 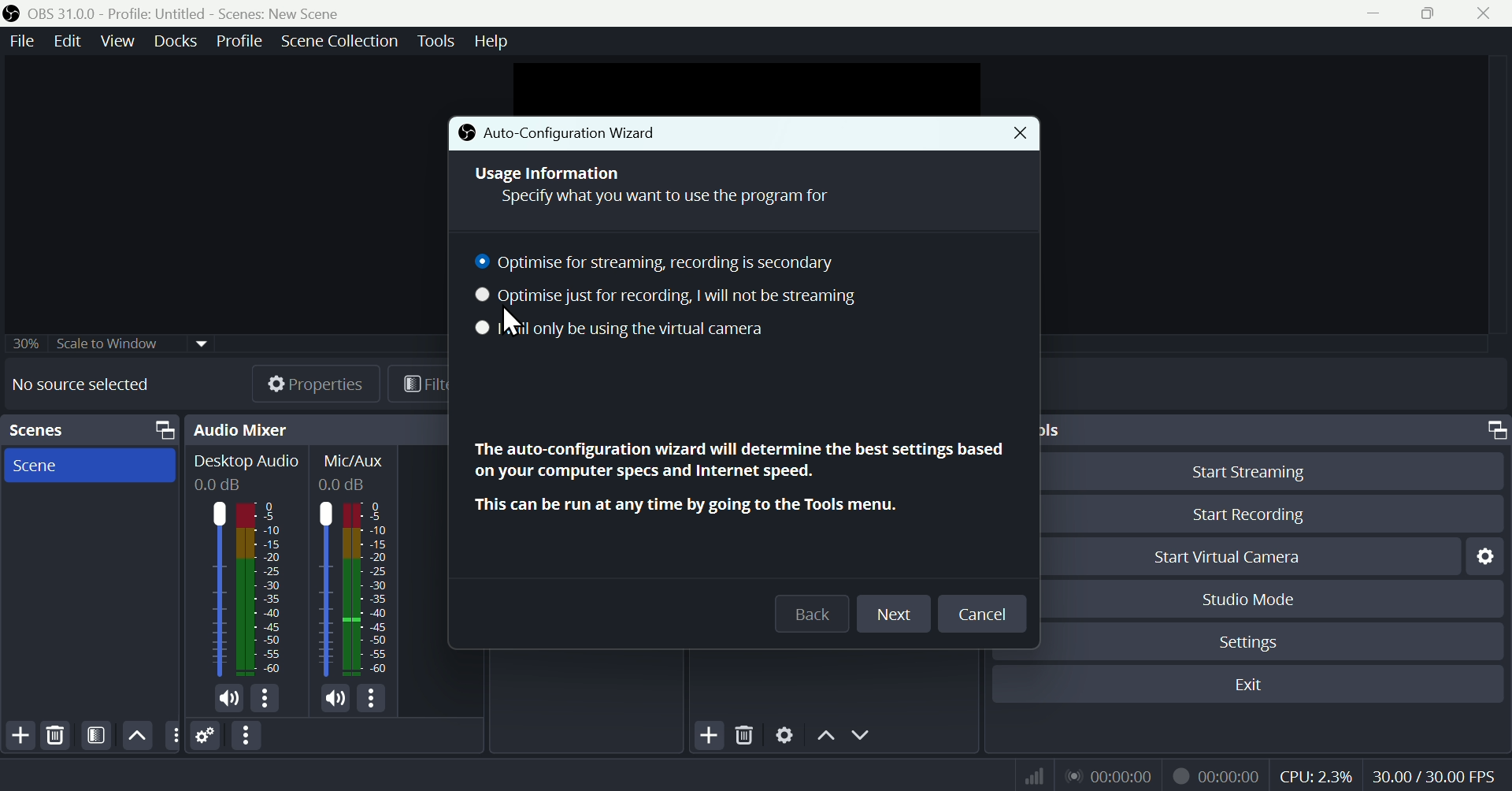 I want to click on Auto-Configuration Wizard, so click(x=600, y=133).